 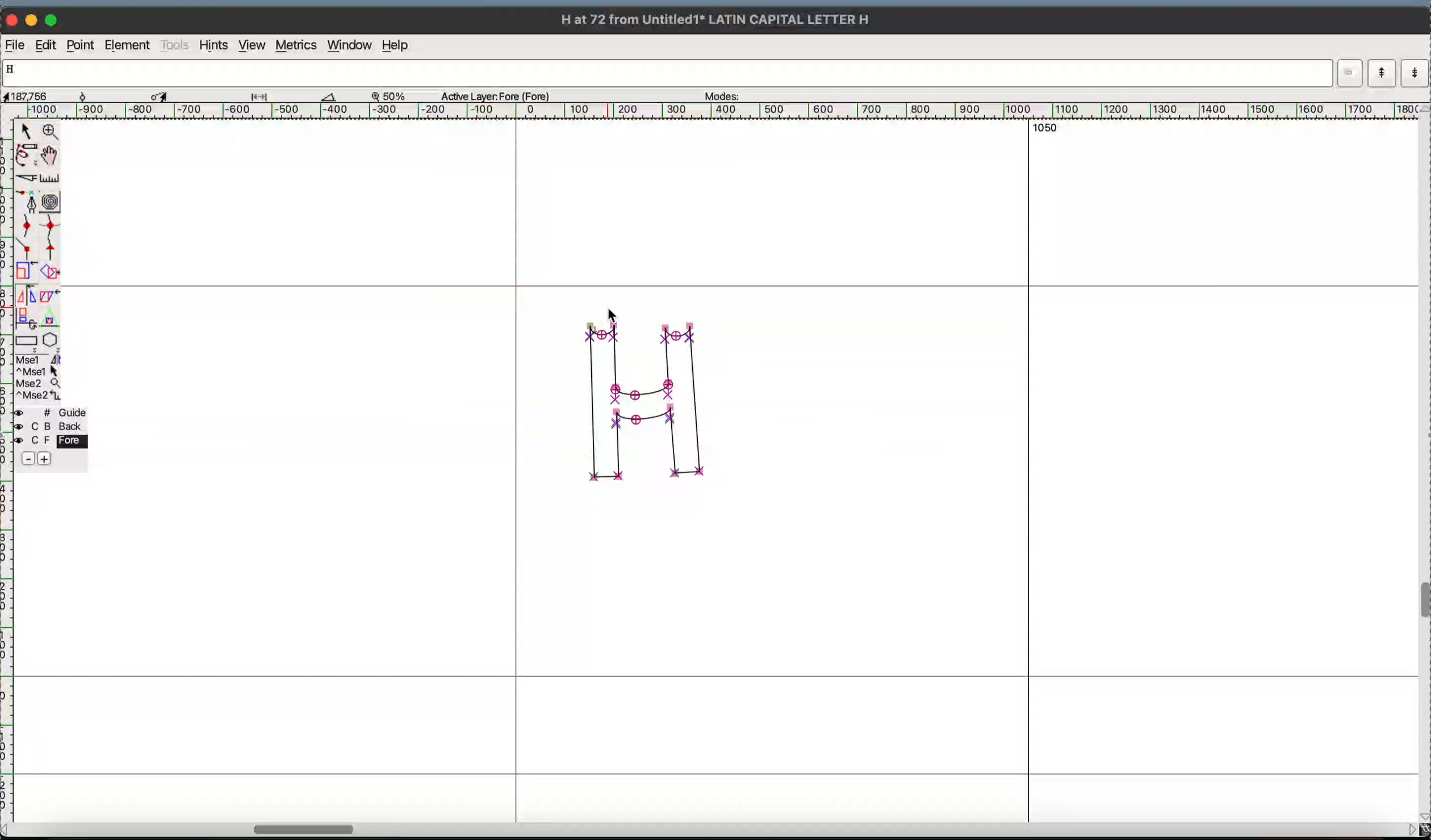 What do you see at coordinates (49, 228) in the screenshot?
I see `sharp curve` at bounding box center [49, 228].